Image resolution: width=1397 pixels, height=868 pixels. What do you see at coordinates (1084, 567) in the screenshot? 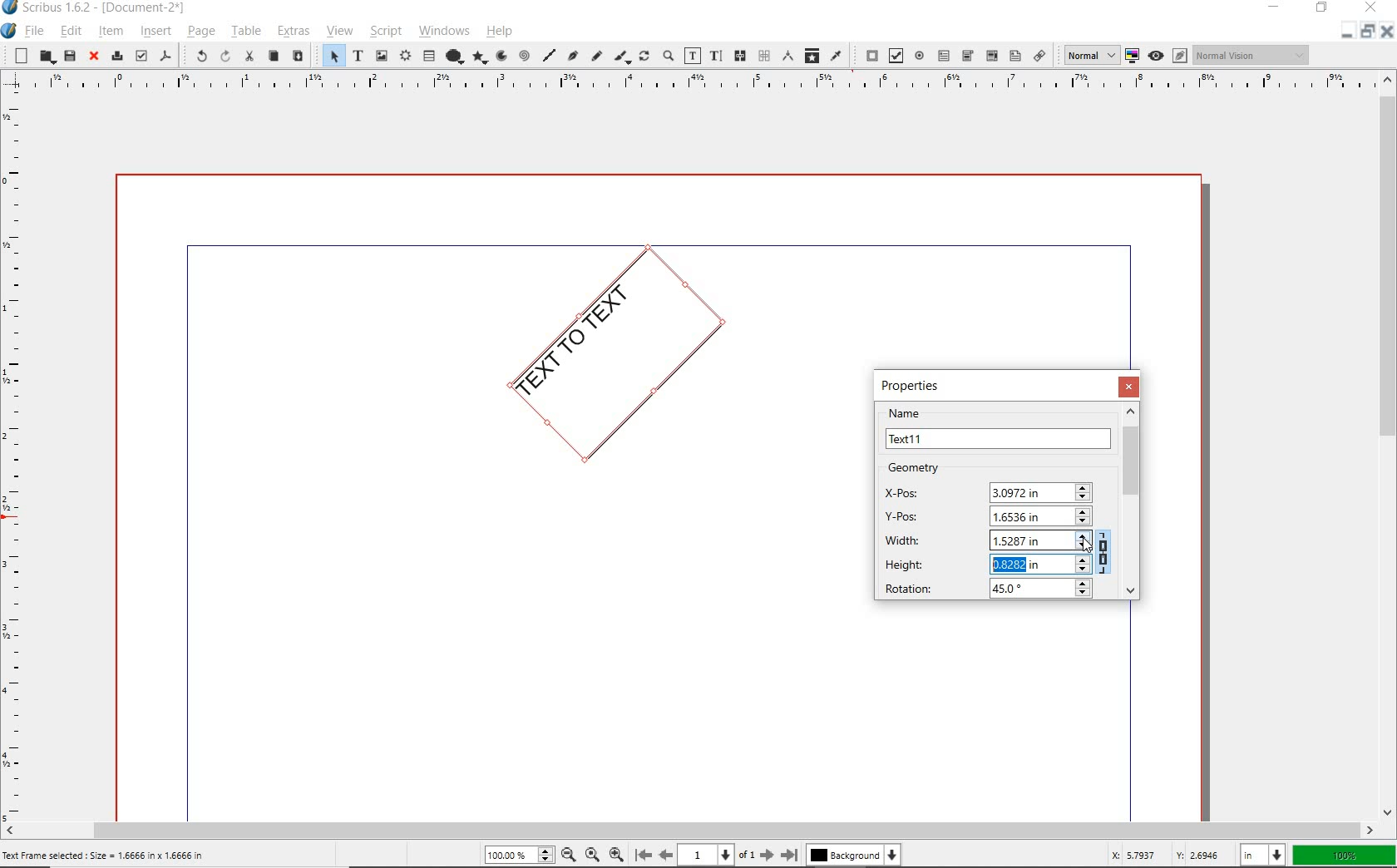
I see `HEIGHT CHANGED` at bounding box center [1084, 567].